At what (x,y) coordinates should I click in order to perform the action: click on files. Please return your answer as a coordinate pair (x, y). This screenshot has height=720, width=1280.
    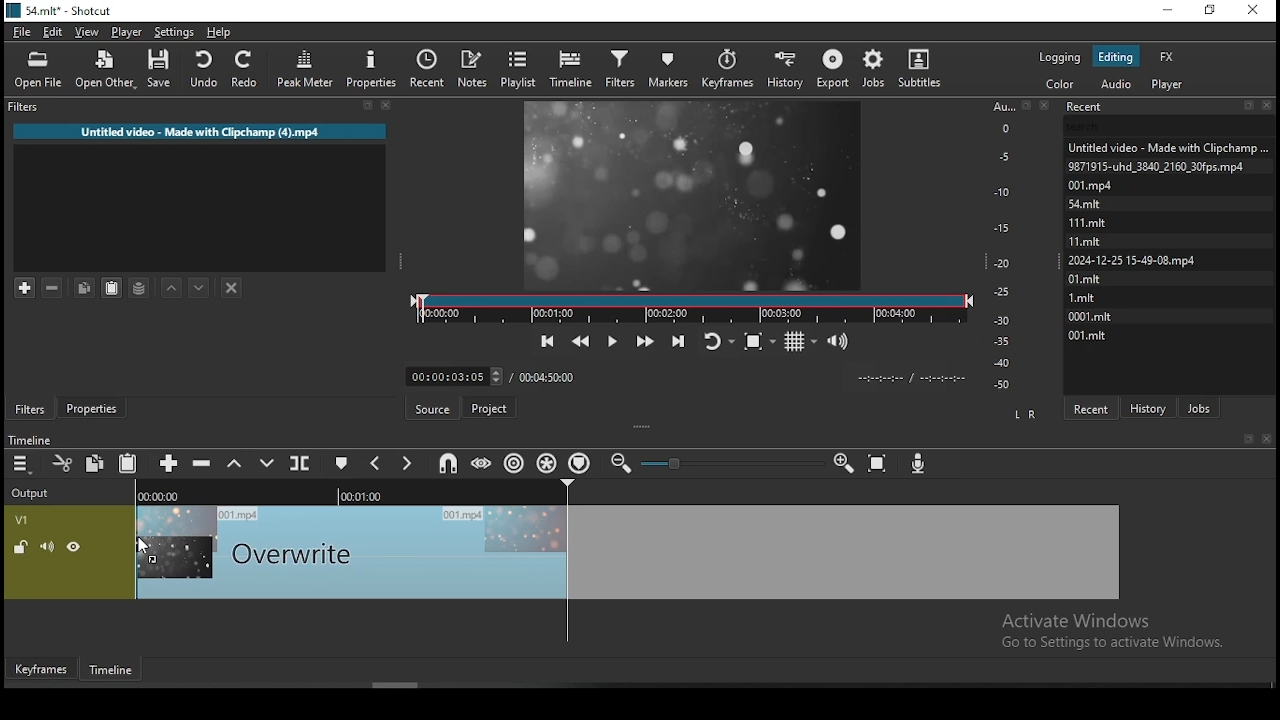
    Looking at the image, I should click on (1085, 280).